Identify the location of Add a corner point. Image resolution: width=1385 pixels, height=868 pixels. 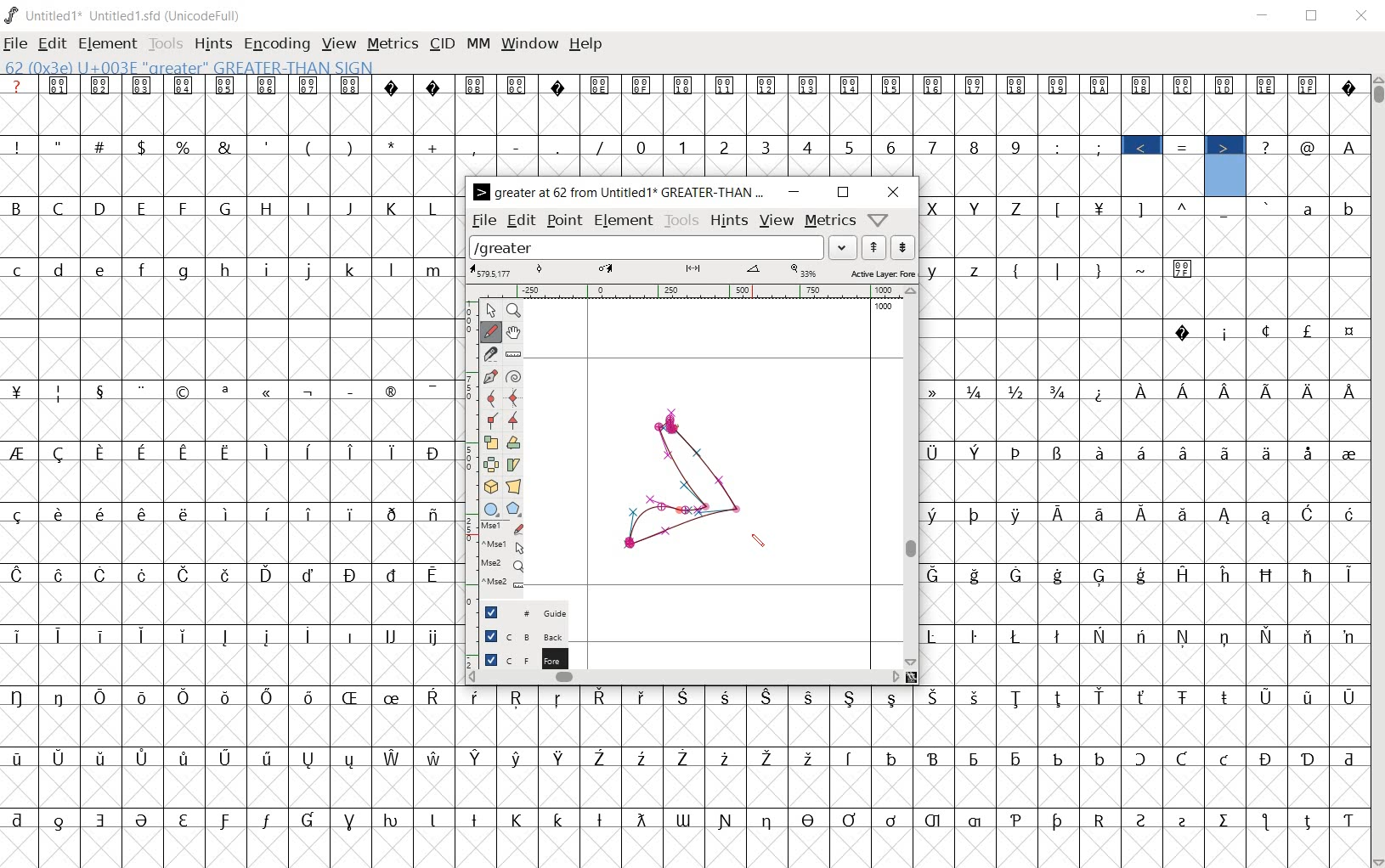
(492, 420).